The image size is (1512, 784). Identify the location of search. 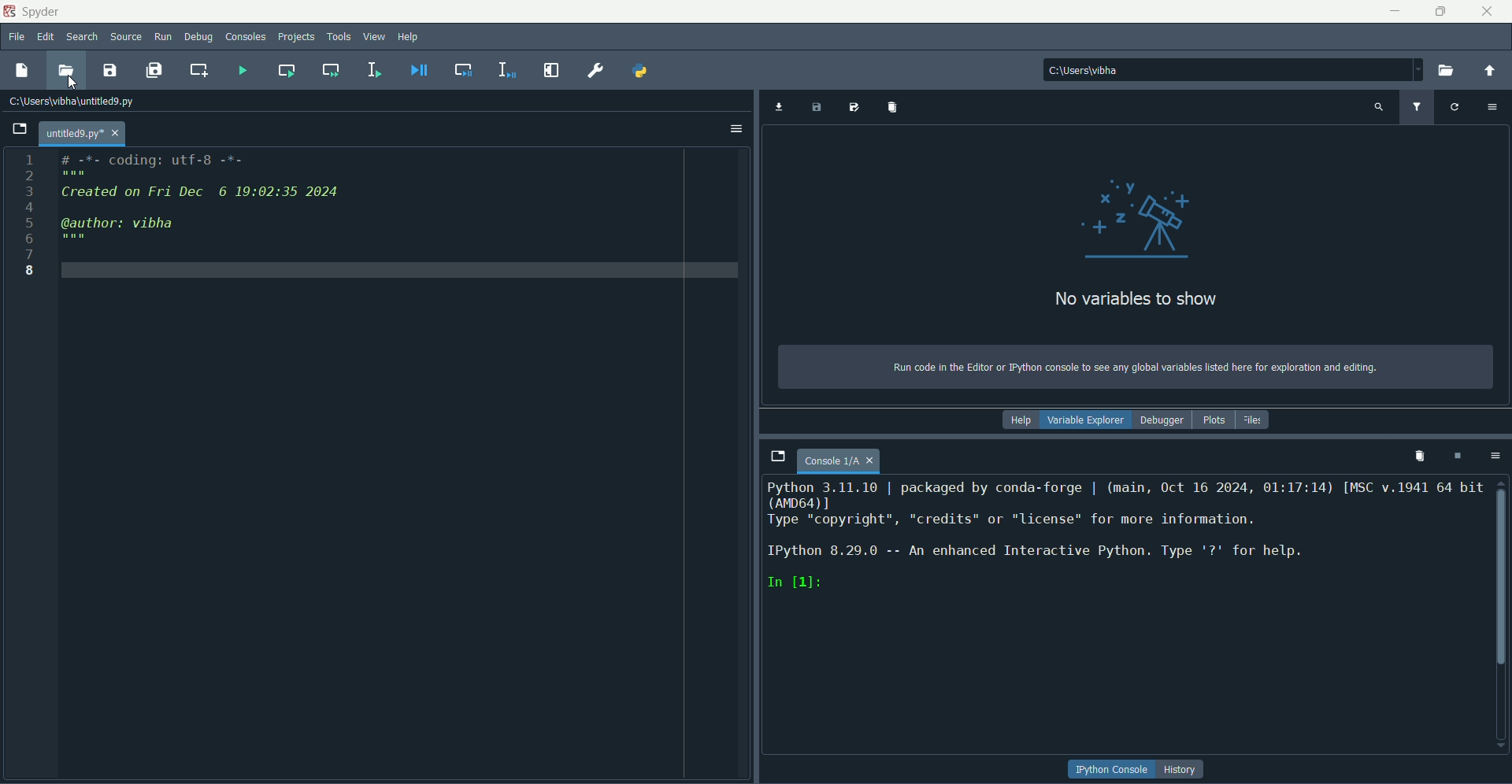
(83, 36).